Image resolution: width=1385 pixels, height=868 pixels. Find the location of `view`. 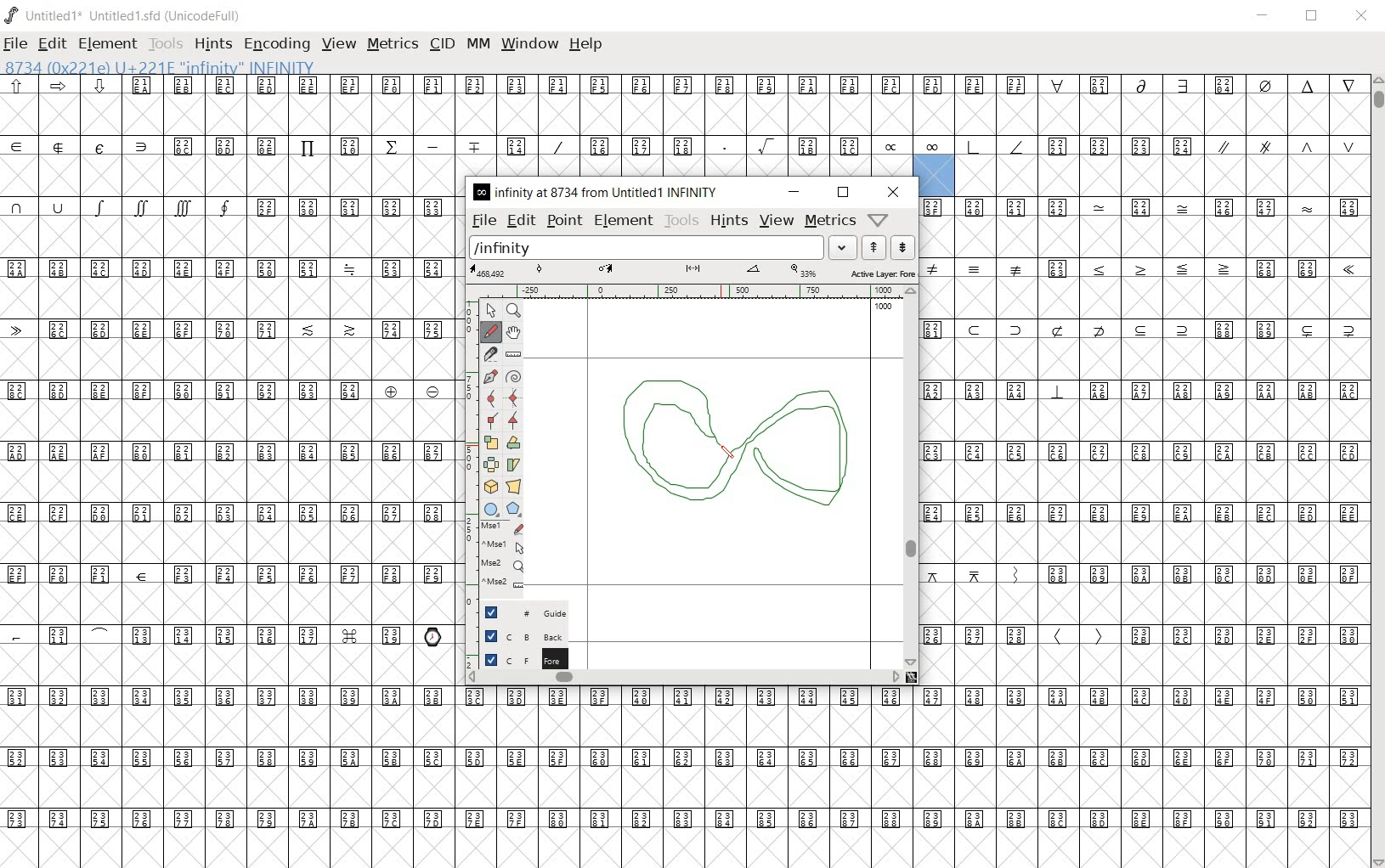

view is located at coordinates (777, 221).